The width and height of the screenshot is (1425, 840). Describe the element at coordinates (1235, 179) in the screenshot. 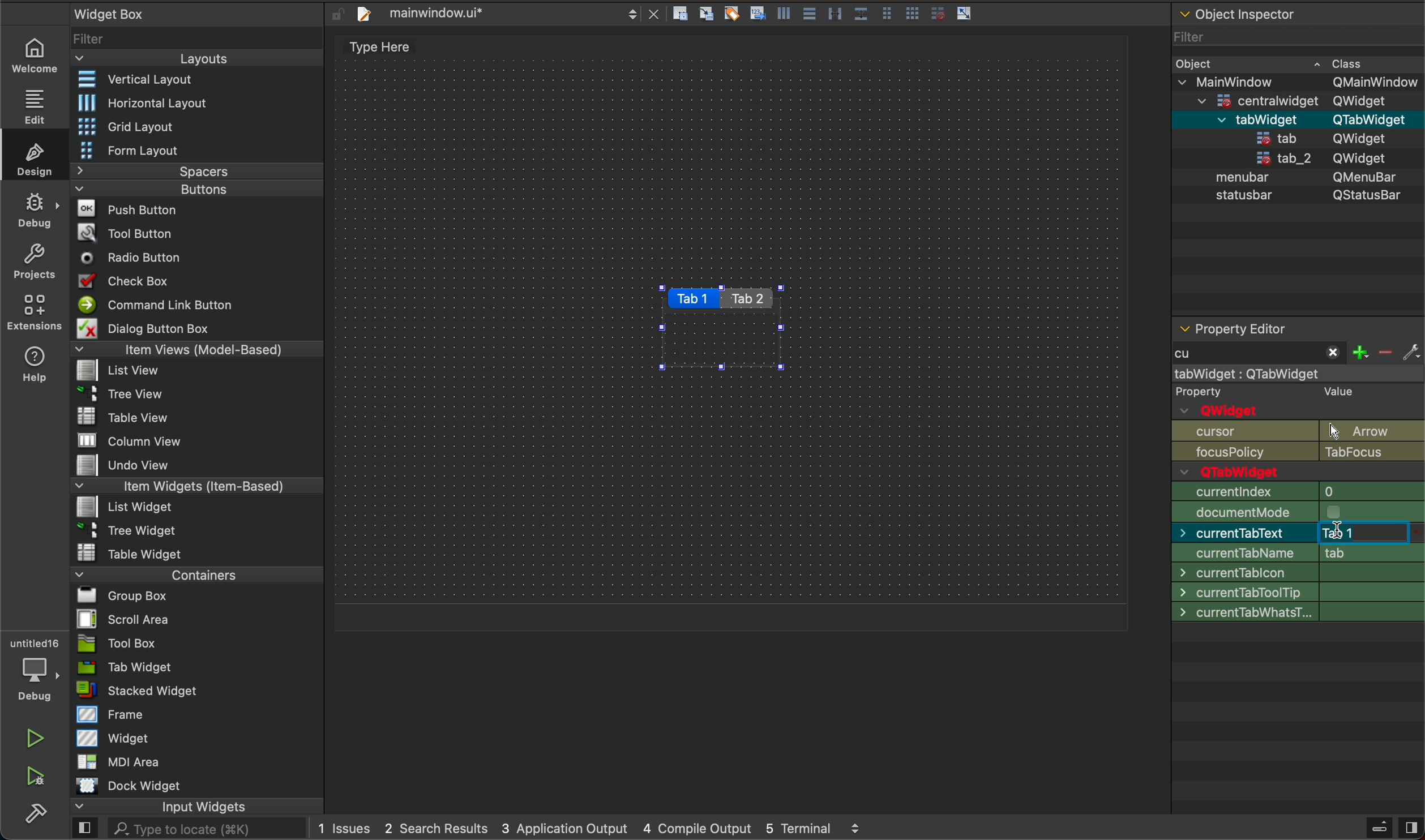

I see `menubar` at that location.